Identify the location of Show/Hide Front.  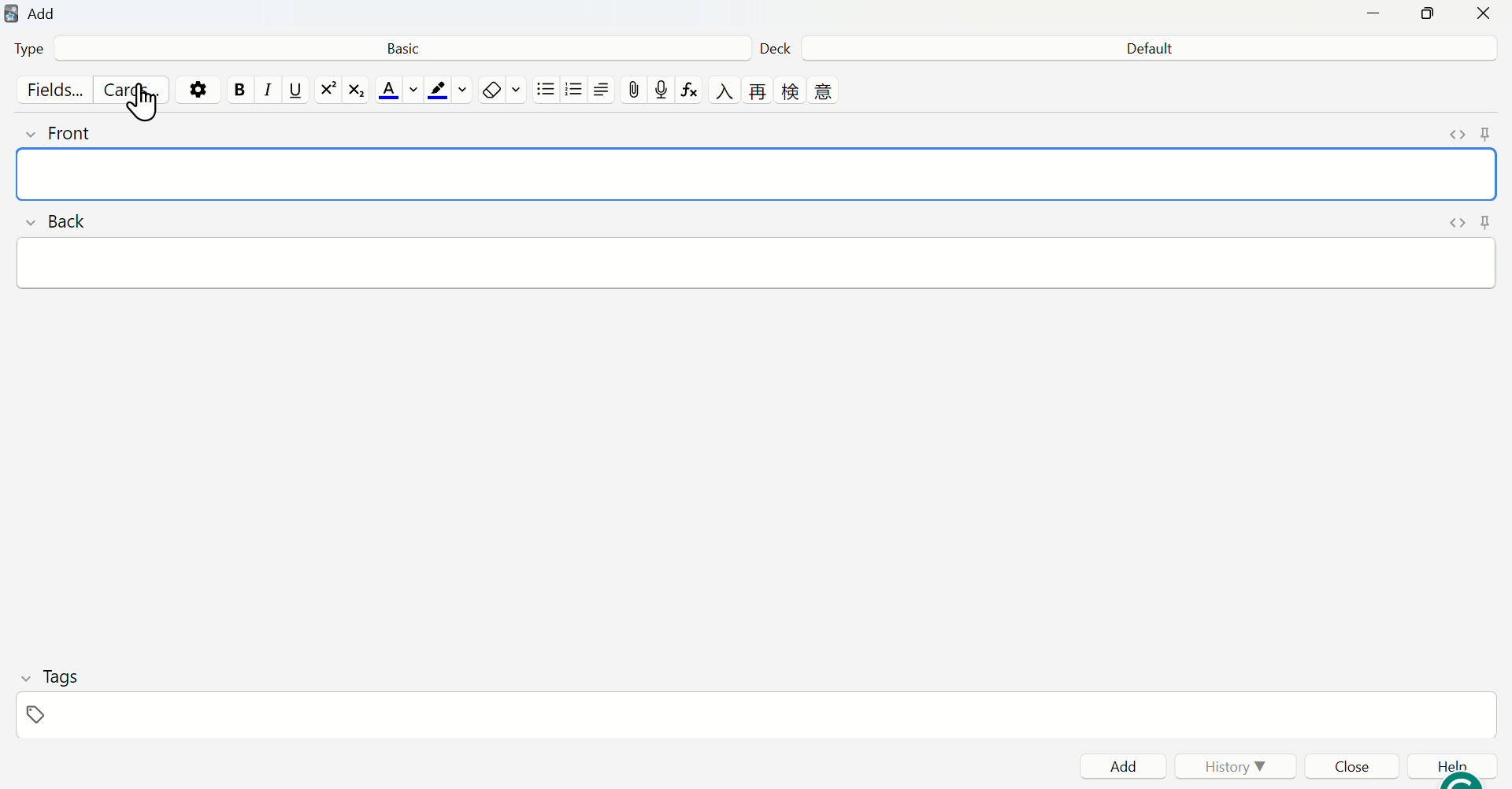
(67, 134).